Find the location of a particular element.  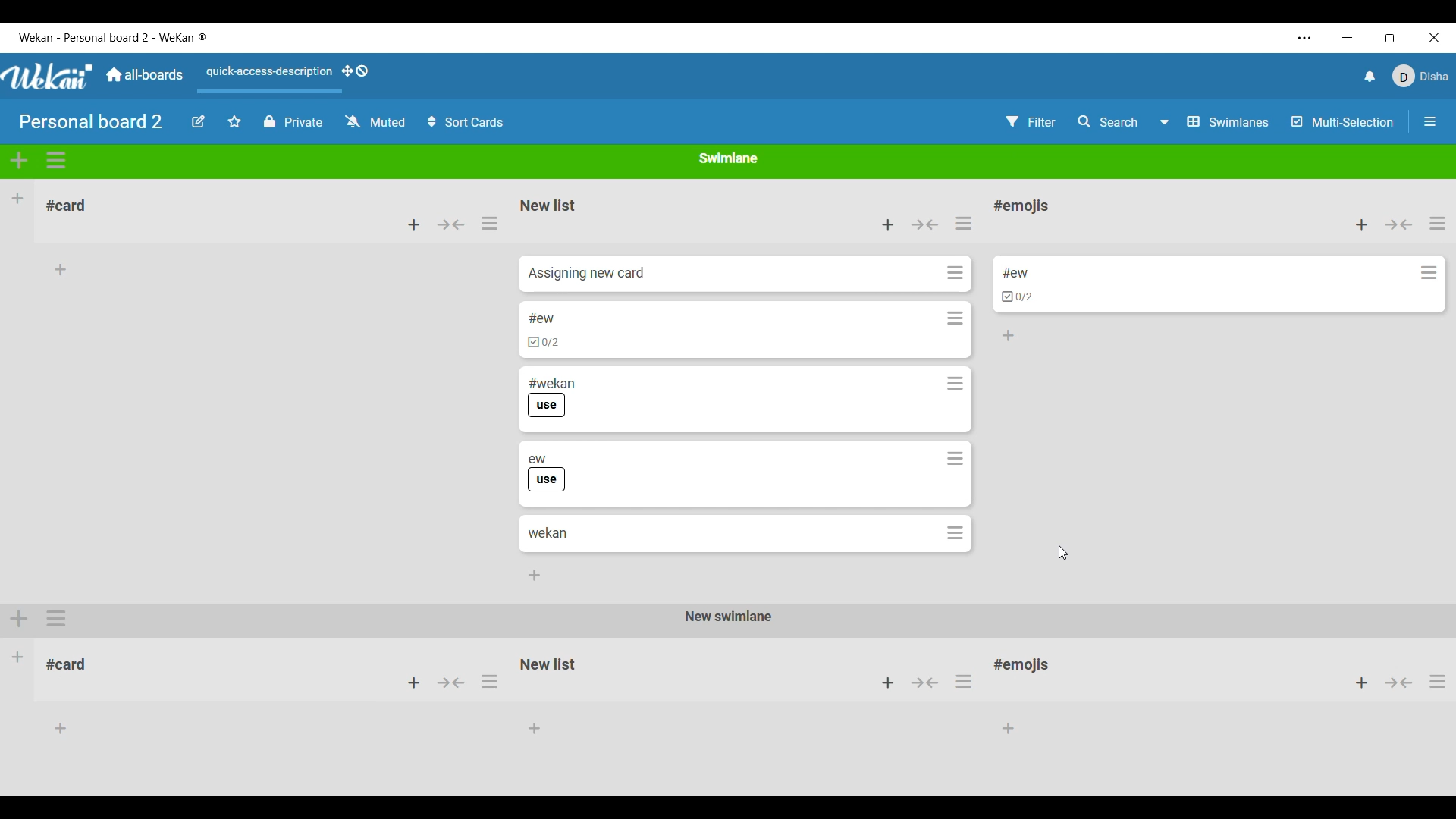

Add card to top of this list is located at coordinates (888, 224).